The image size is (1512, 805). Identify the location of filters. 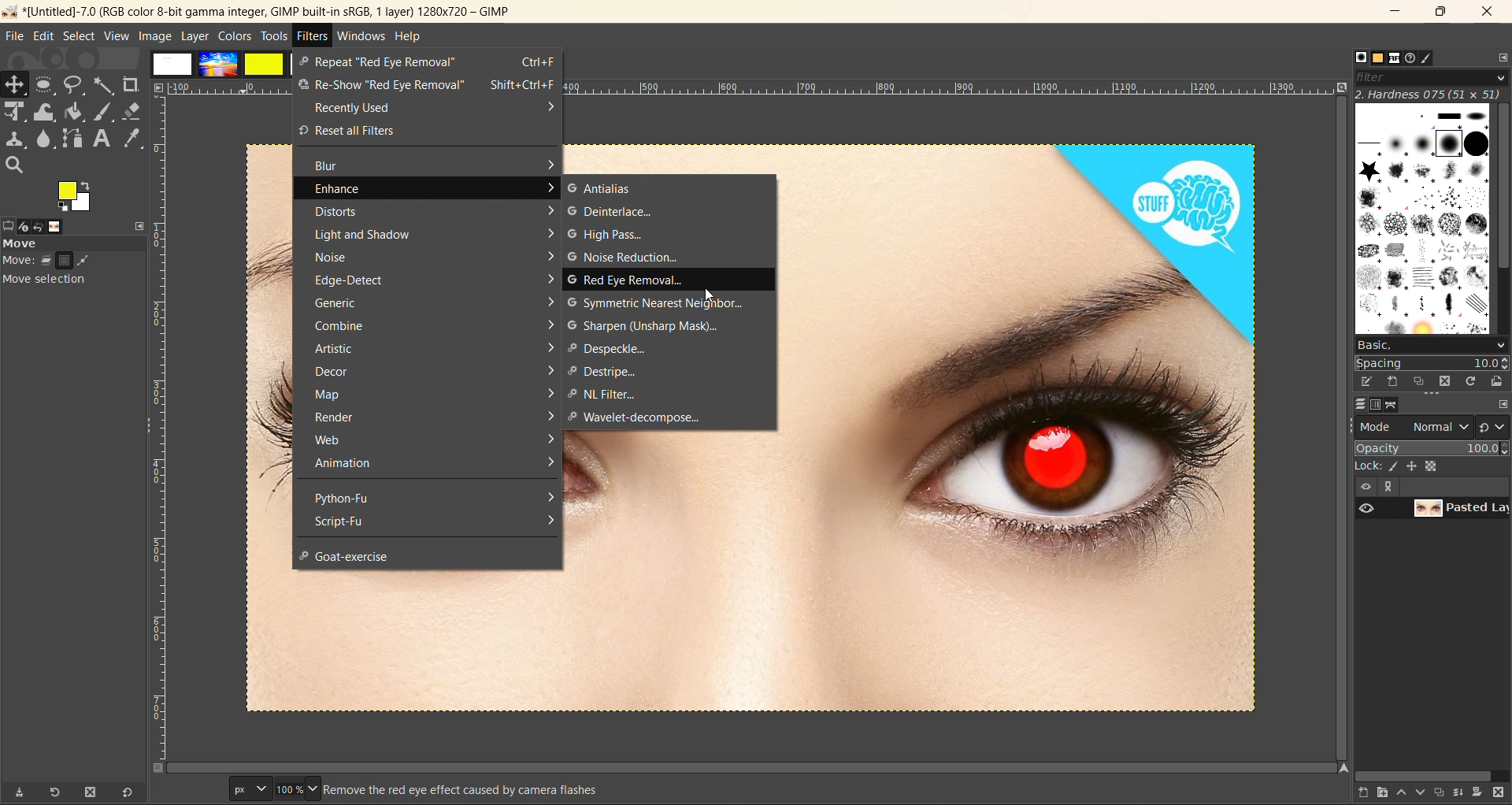
(313, 35).